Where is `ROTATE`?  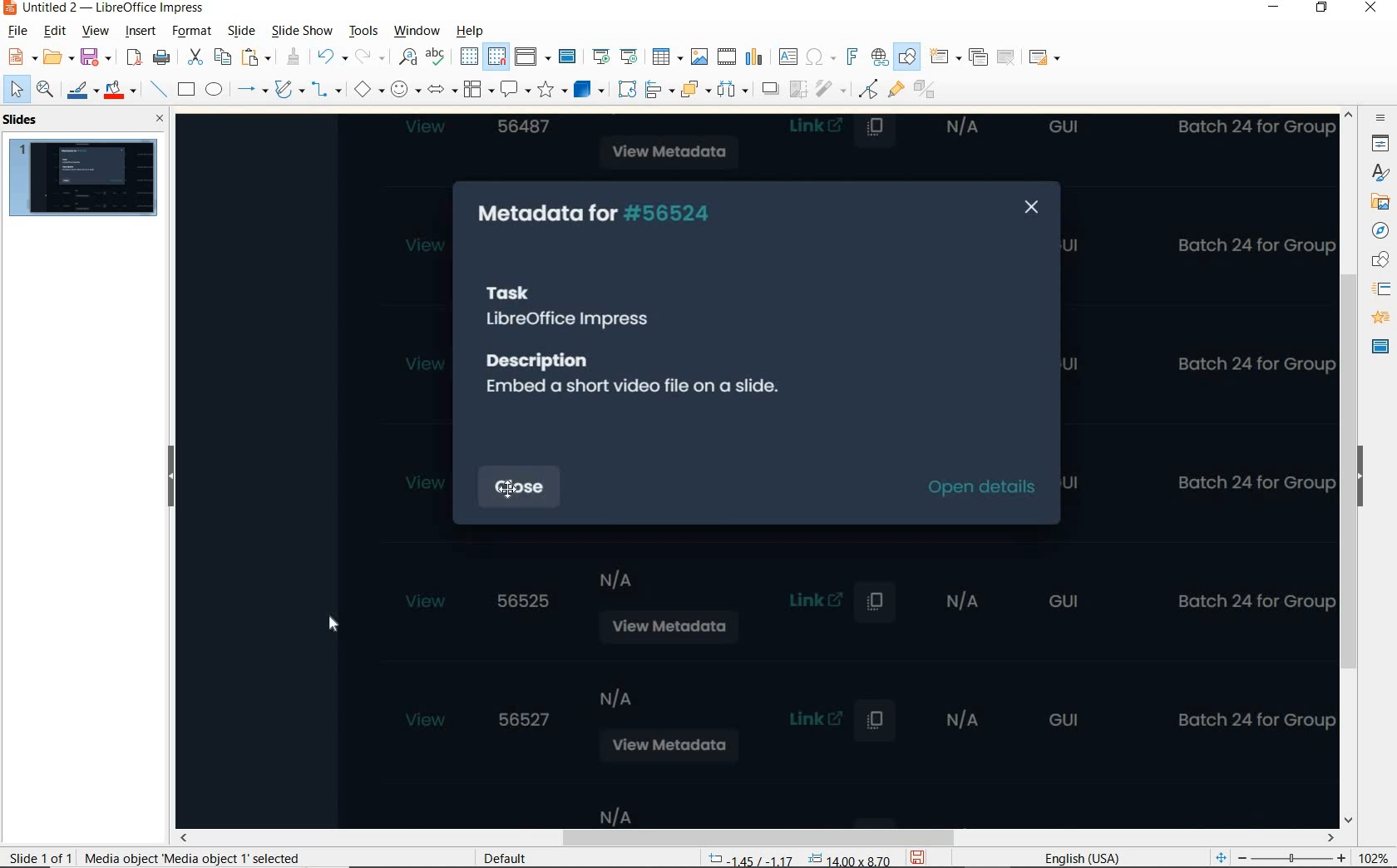
ROTATE is located at coordinates (624, 89).